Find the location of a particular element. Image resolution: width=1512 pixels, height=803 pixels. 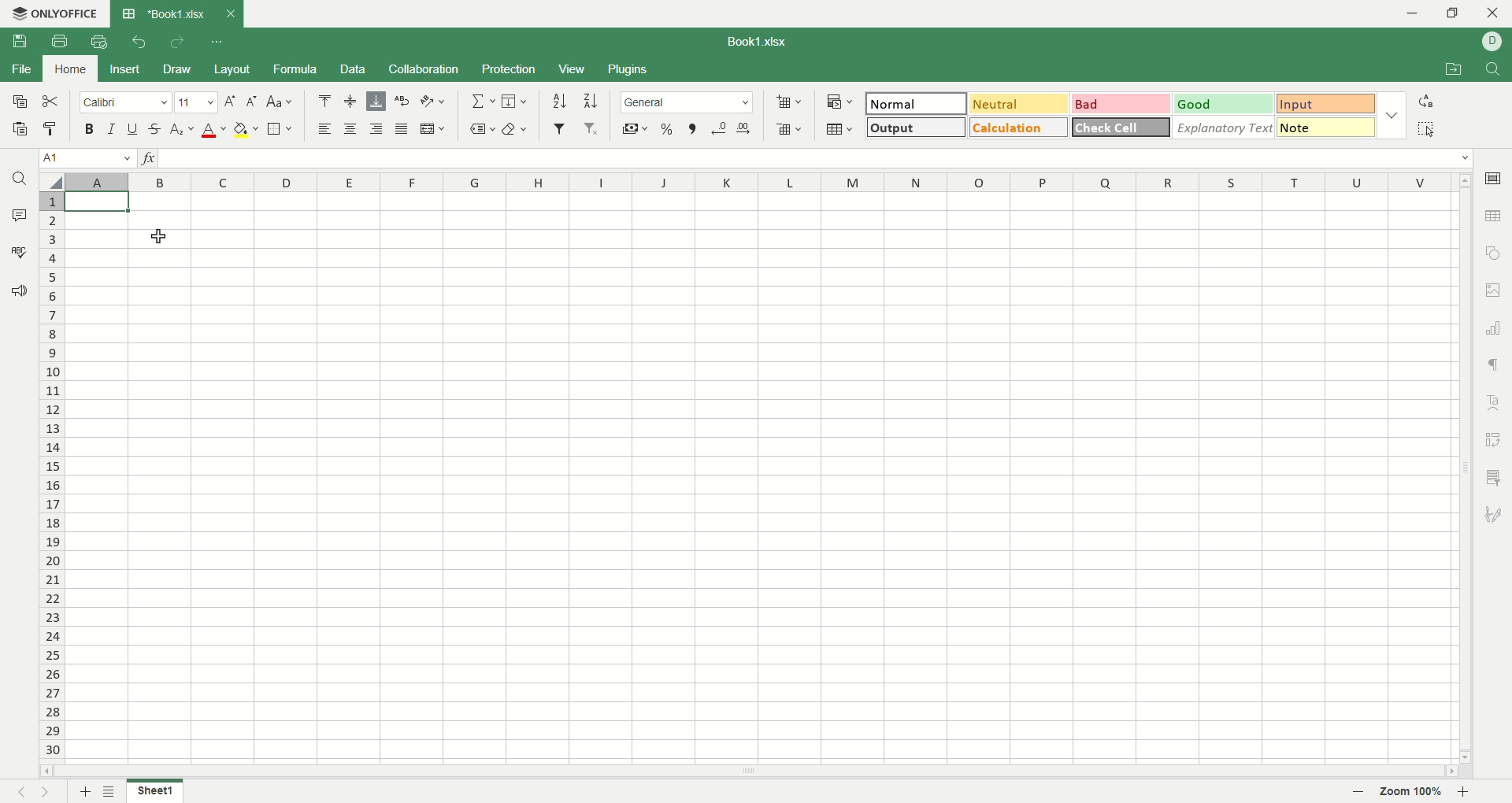

strikethrough is located at coordinates (156, 128).